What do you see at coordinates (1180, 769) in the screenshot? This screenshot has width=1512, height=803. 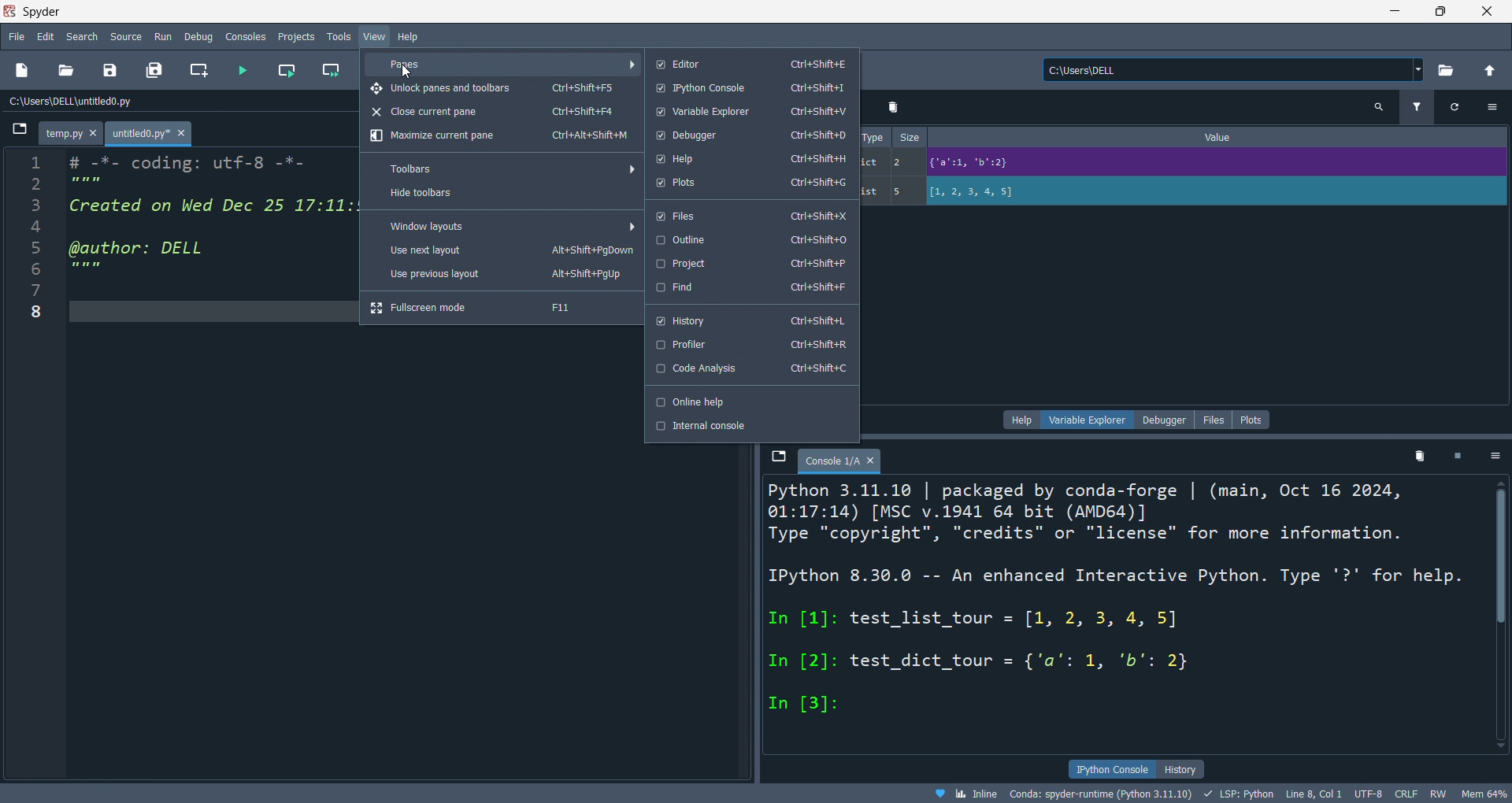 I see `history` at bounding box center [1180, 769].